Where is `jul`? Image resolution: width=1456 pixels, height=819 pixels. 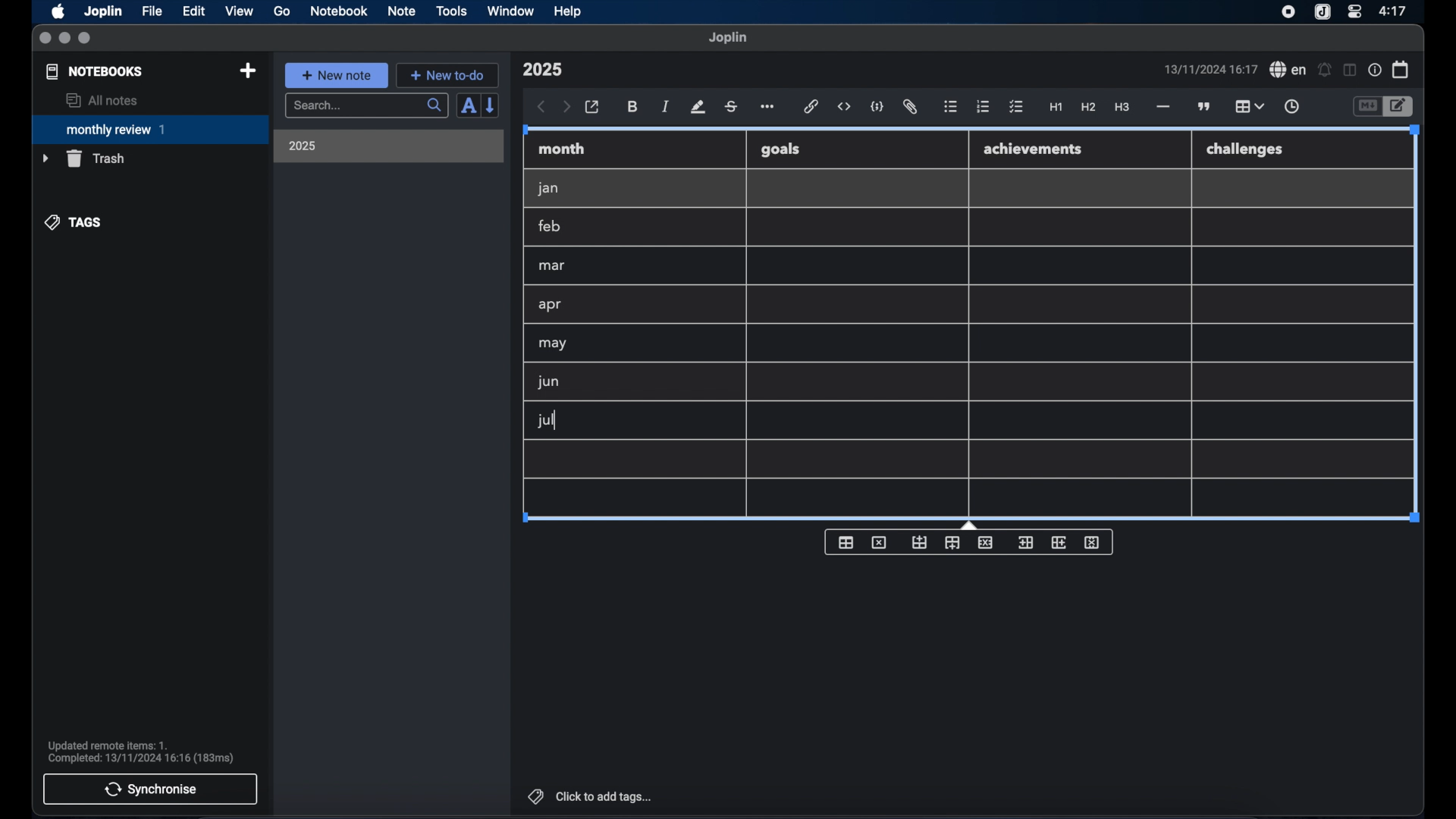
jul is located at coordinates (544, 421).